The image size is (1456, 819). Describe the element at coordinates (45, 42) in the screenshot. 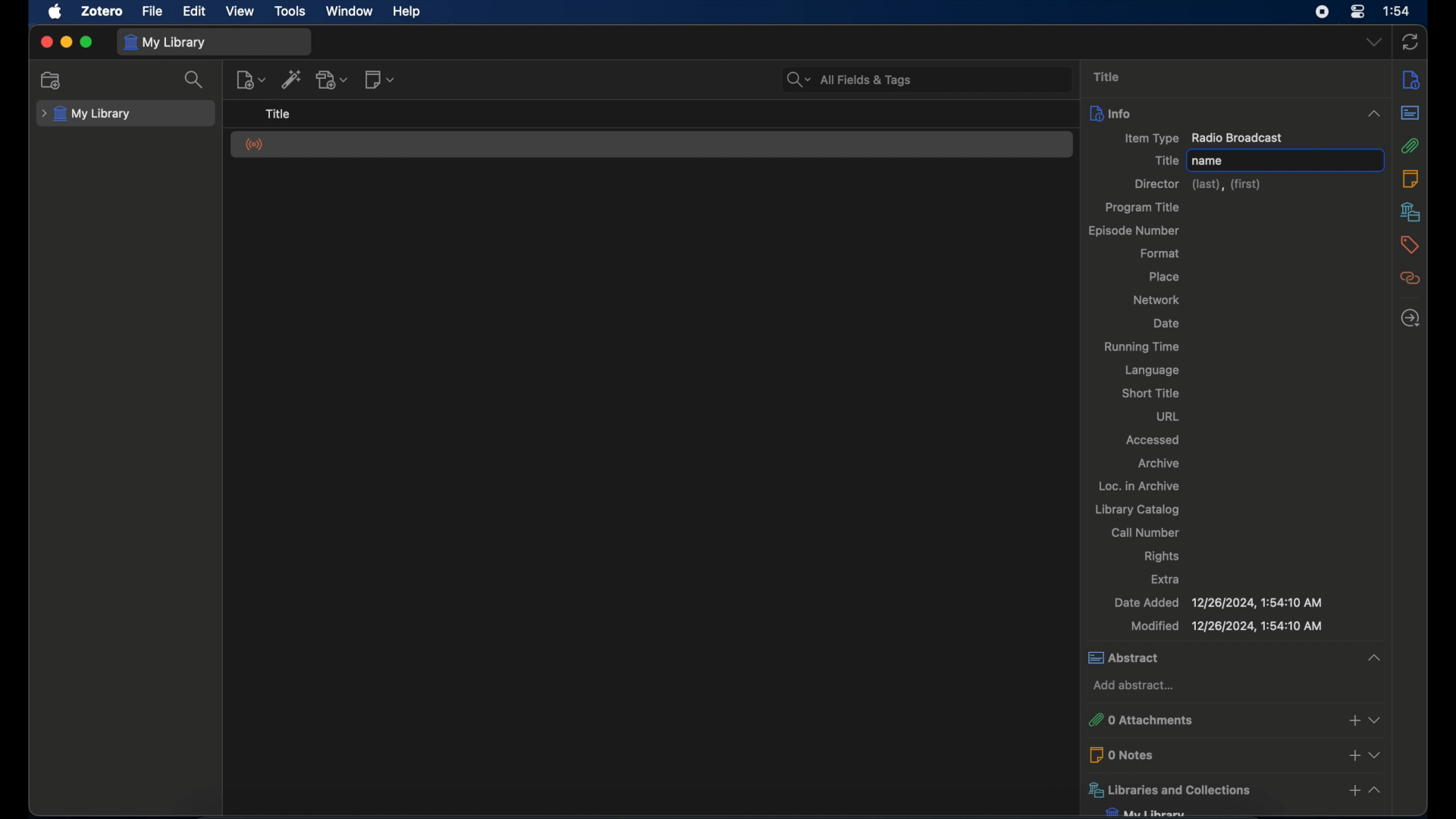

I see `close` at that location.